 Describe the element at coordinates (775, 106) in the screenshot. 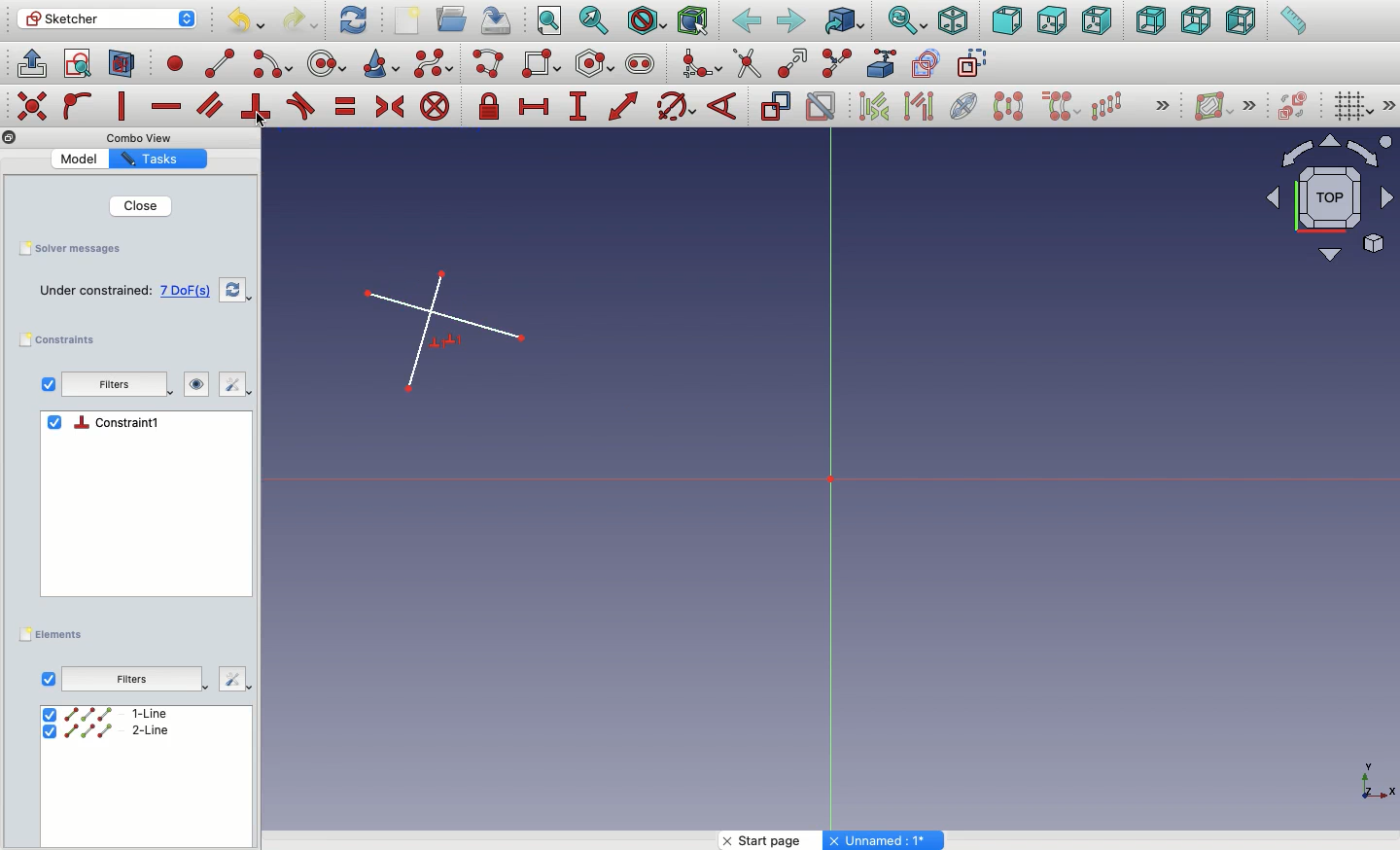

I see `Toggle driving constraint` at that location.